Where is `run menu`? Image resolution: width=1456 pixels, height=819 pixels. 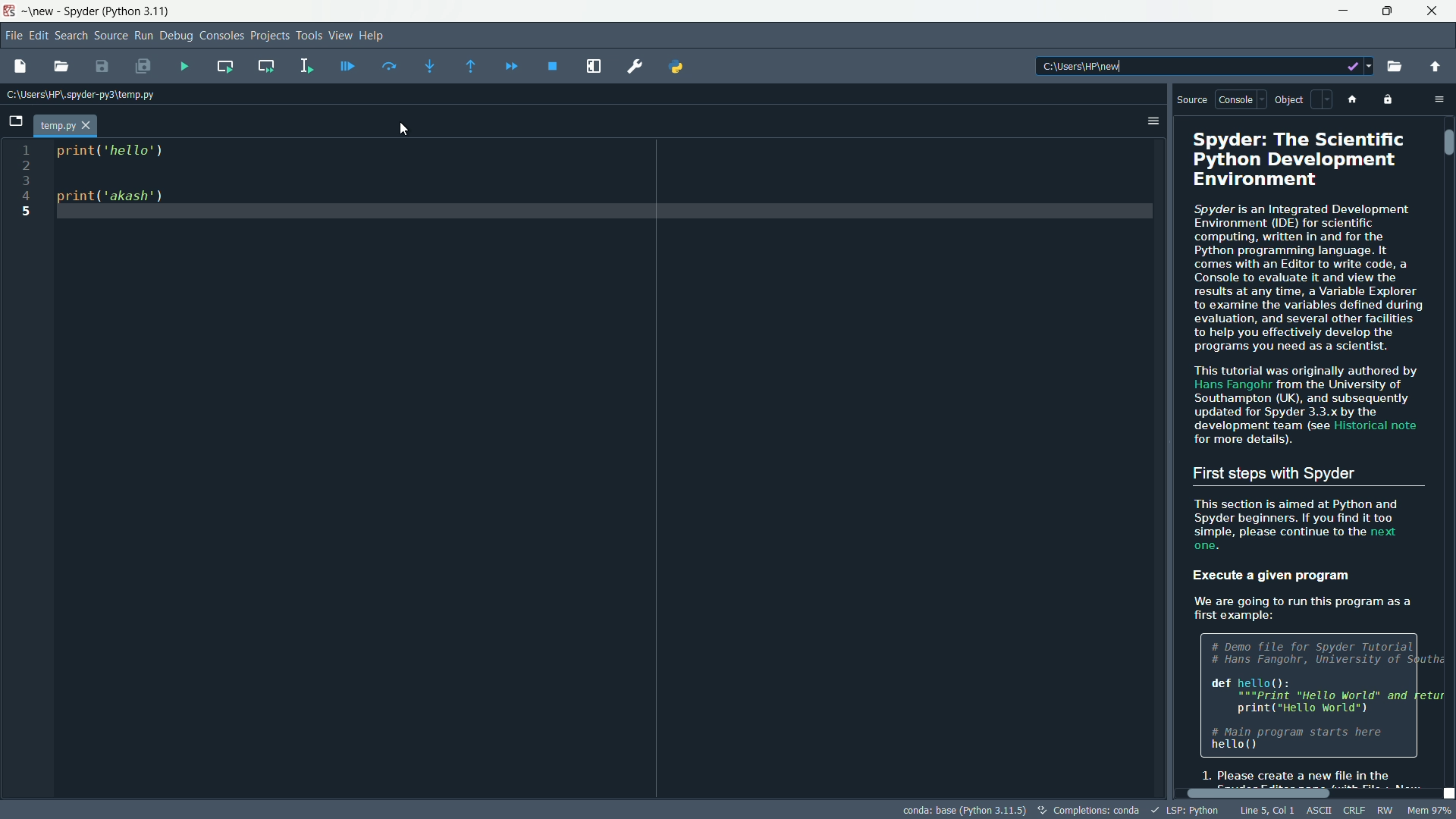 run menu is located at coordinates (143, 36).